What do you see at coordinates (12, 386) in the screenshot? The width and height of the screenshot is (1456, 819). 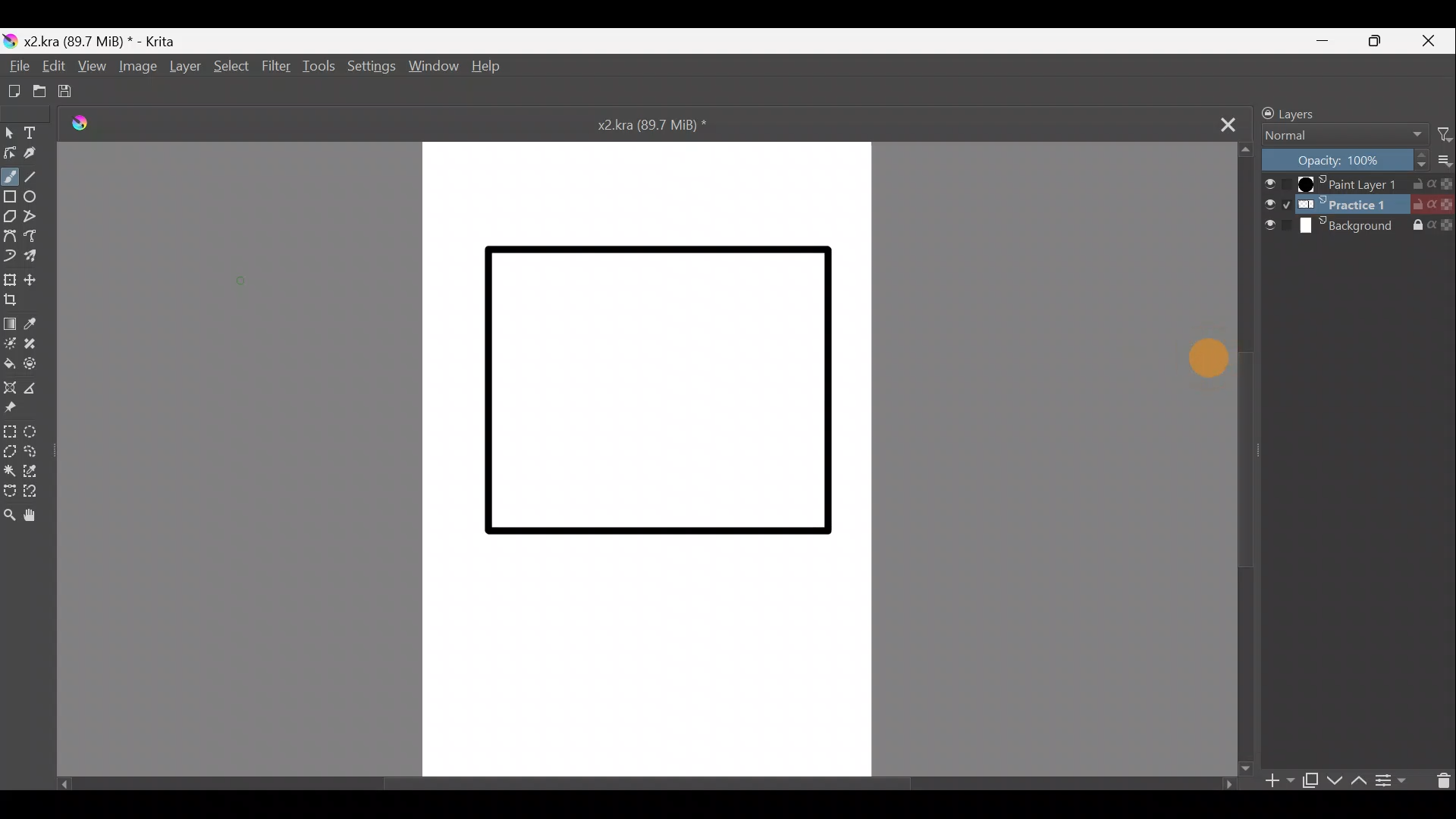 I see `Assistant tool` at bounding box center [12, 386].